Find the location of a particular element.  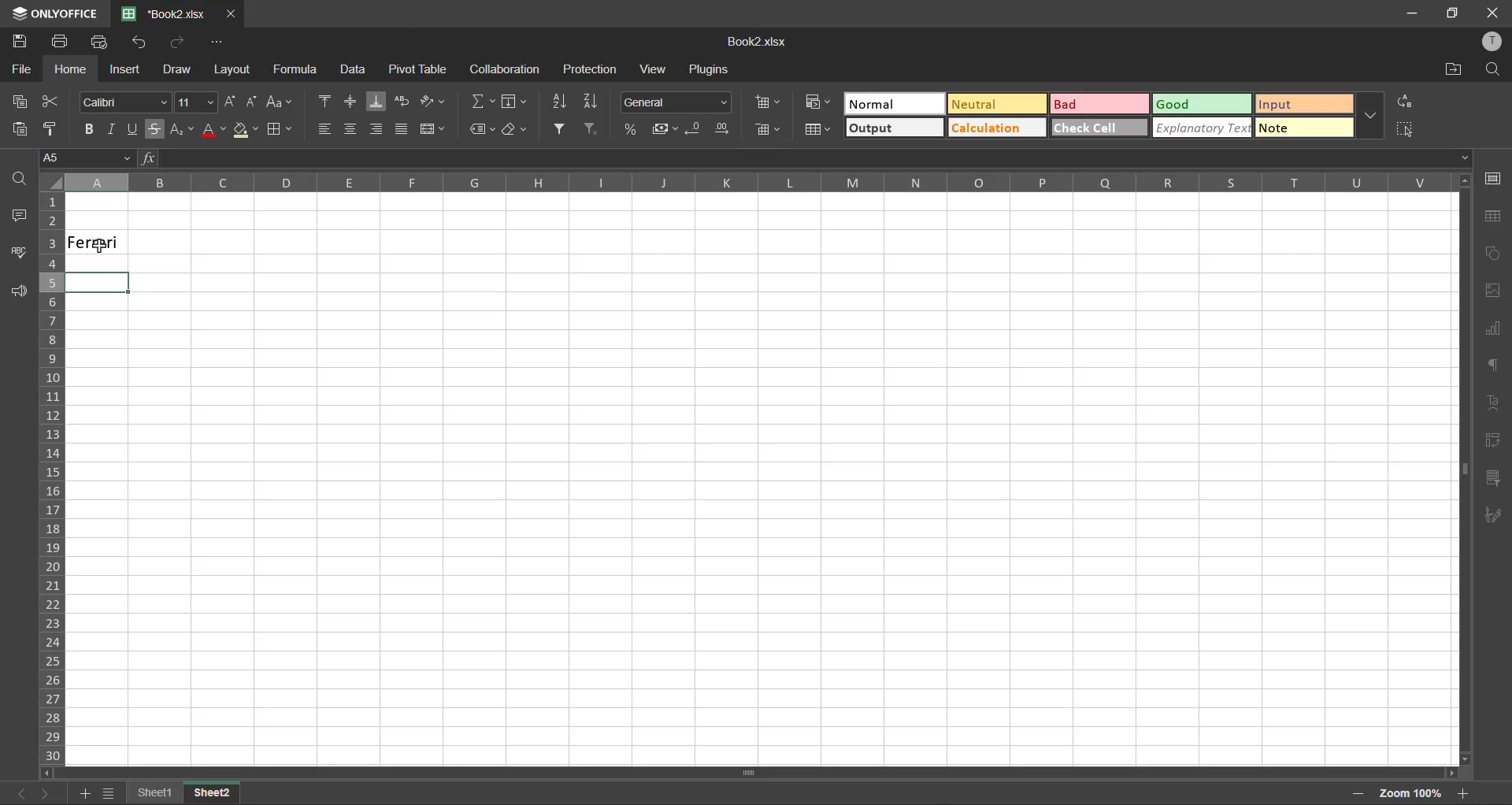

align top is located at coordinates (321, 103).